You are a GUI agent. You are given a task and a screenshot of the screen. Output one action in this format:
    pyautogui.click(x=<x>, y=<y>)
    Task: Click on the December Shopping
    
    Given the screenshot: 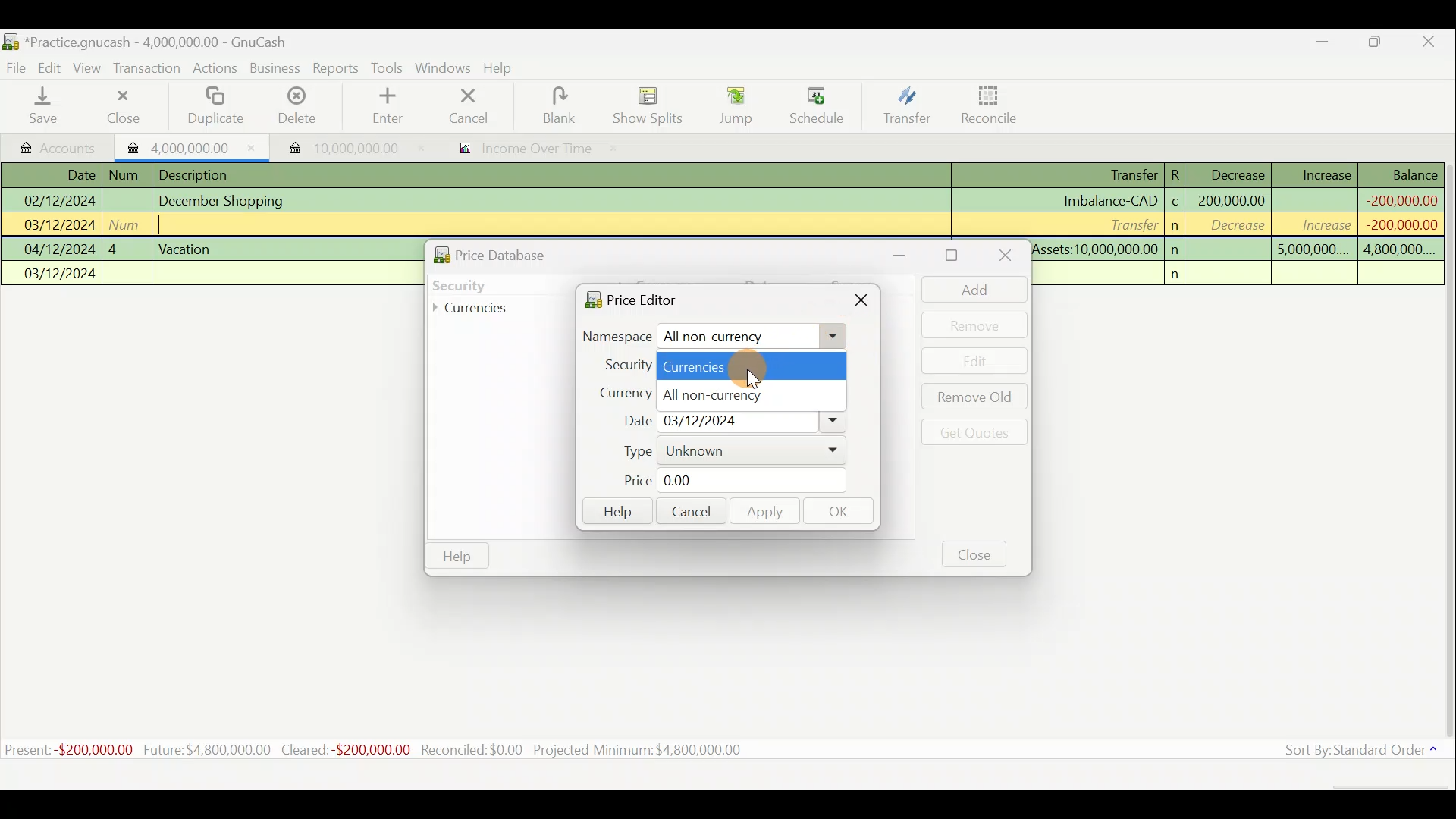 What is the action you would take?
    pyautogui.click(x=228, y=201)
    